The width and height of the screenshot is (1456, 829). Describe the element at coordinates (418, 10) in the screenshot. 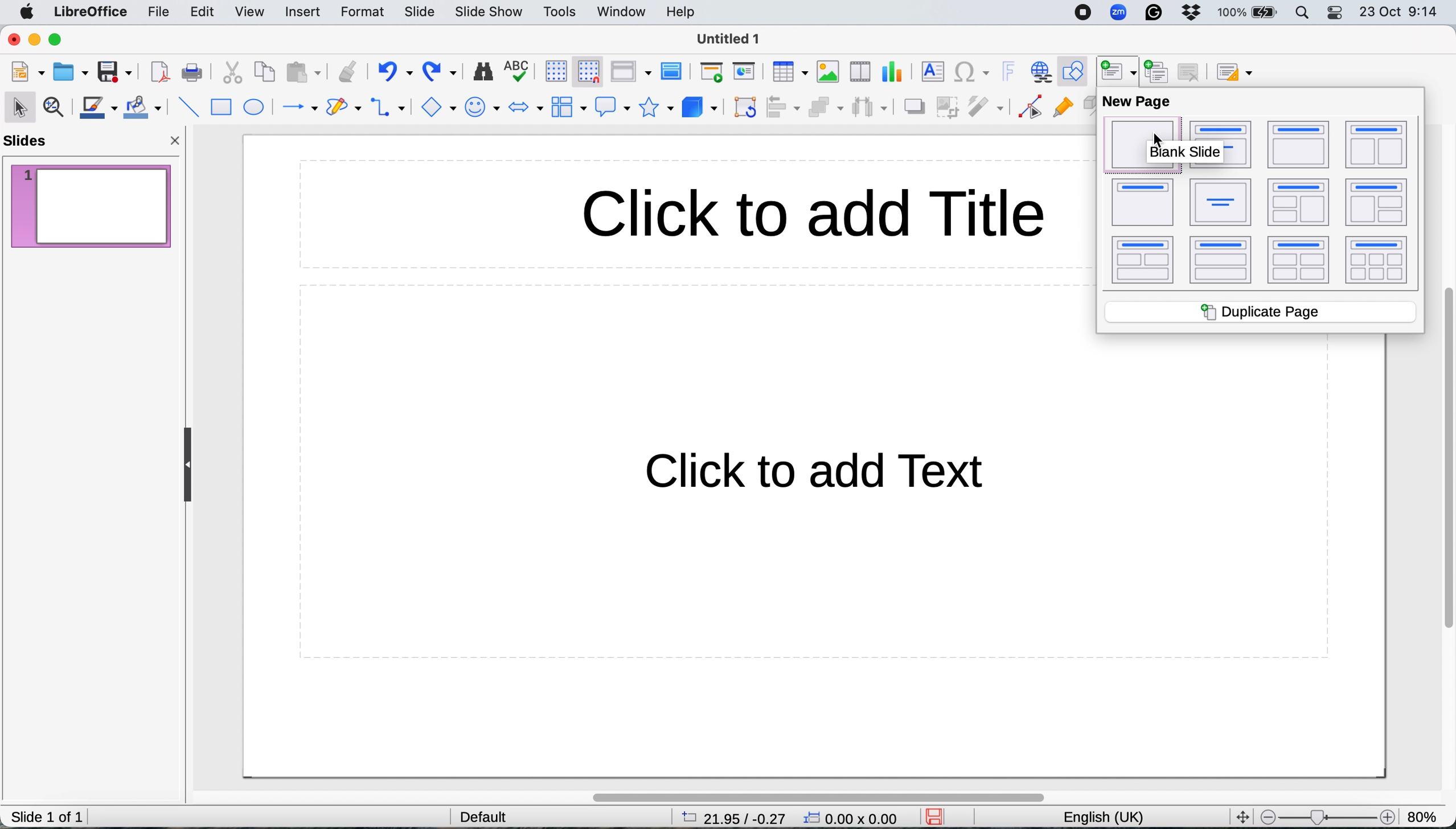

I see `slide` at that location.